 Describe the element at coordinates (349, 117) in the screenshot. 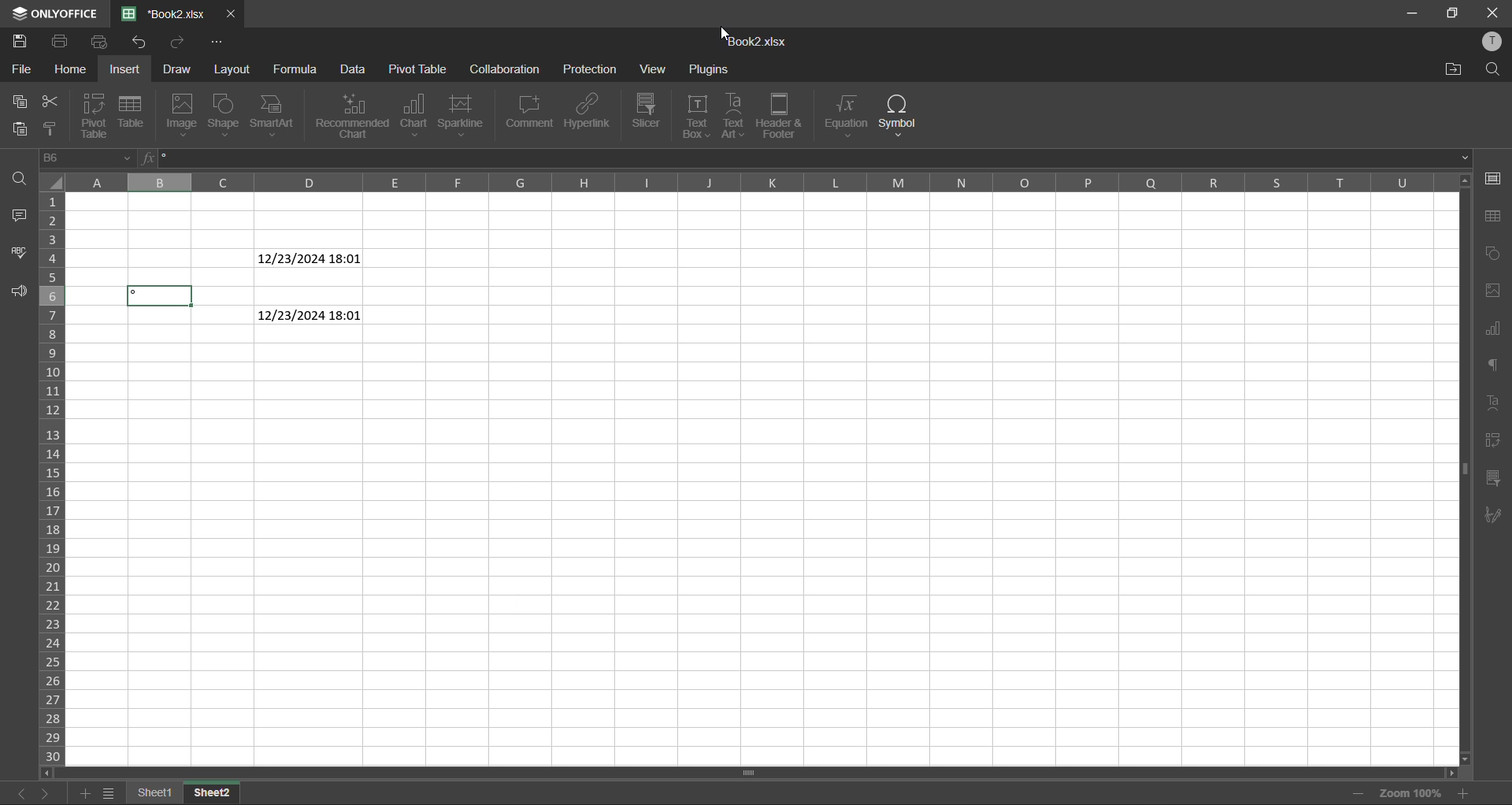

I see `recommended chart` at that location.